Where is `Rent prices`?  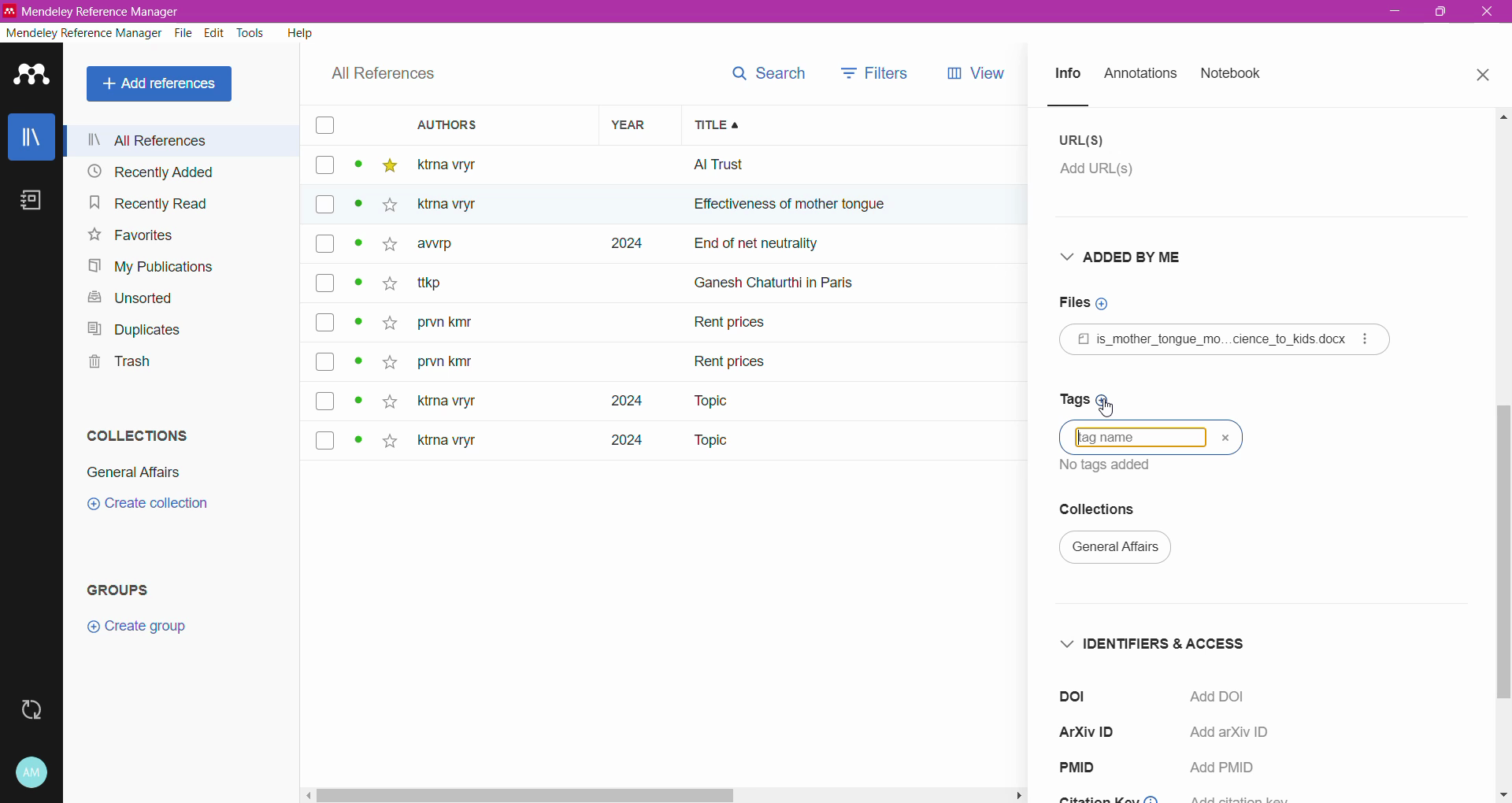
Rent prices is located at coordinates (732, 325).